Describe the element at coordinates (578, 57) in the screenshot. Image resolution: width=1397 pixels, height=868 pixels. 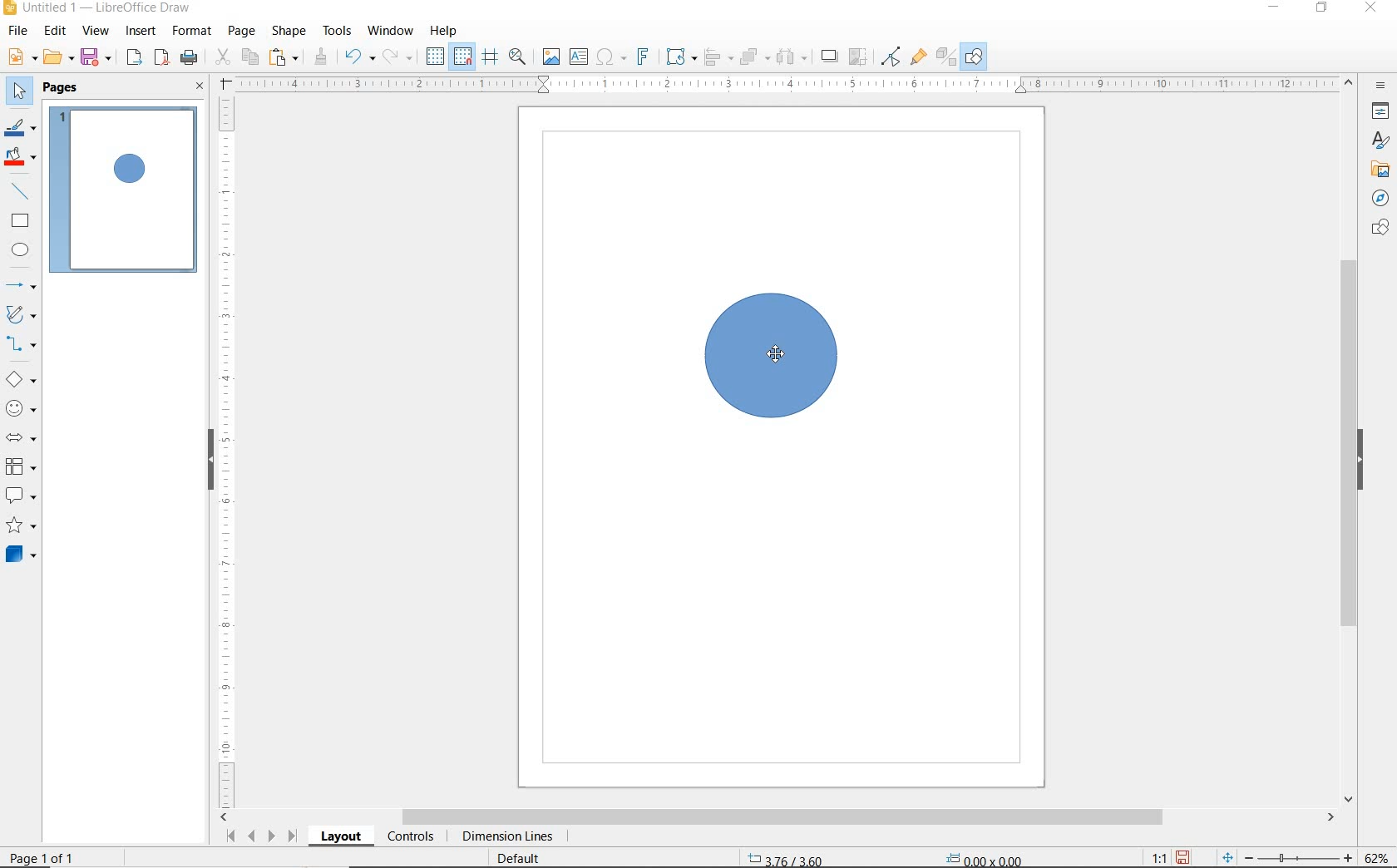
I see `INSERT TEXT BOX` at that location.